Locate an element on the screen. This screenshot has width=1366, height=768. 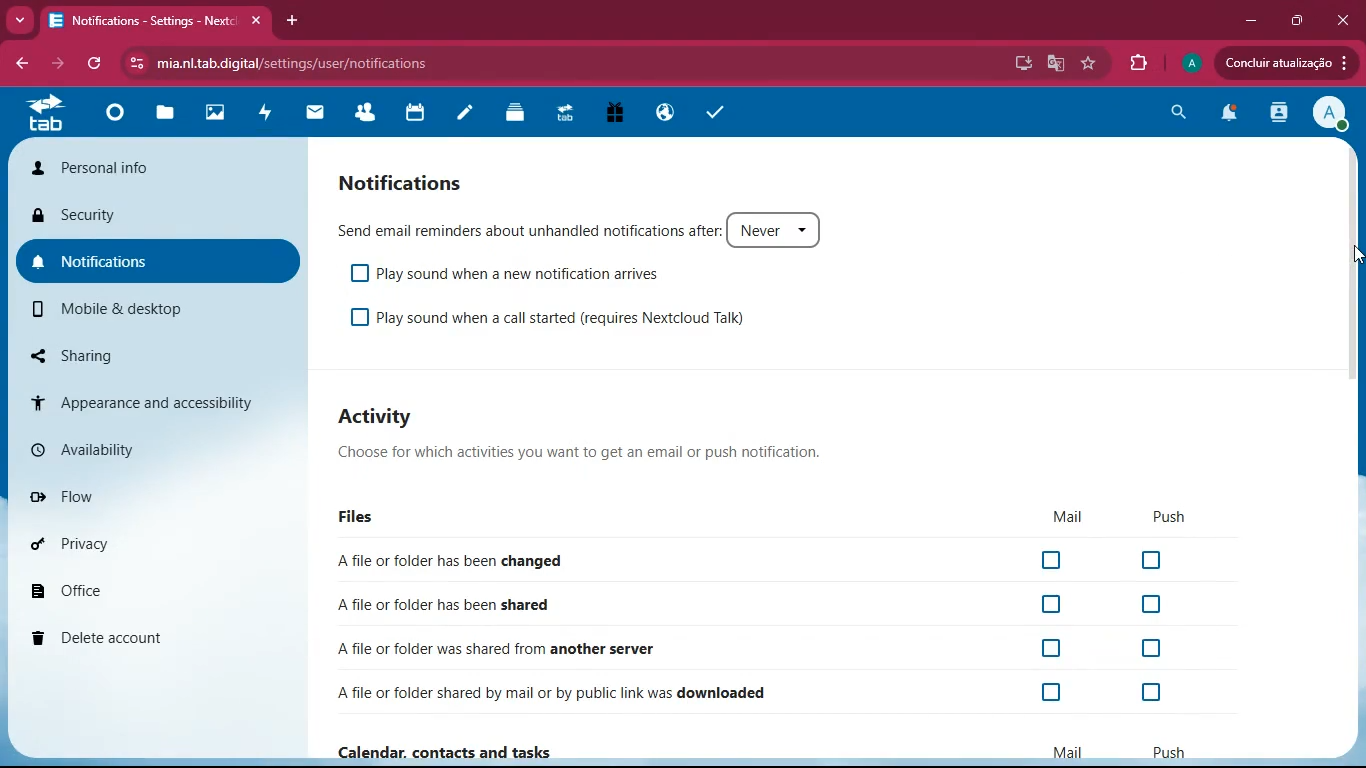
friends is located at coordinates (371, 115).